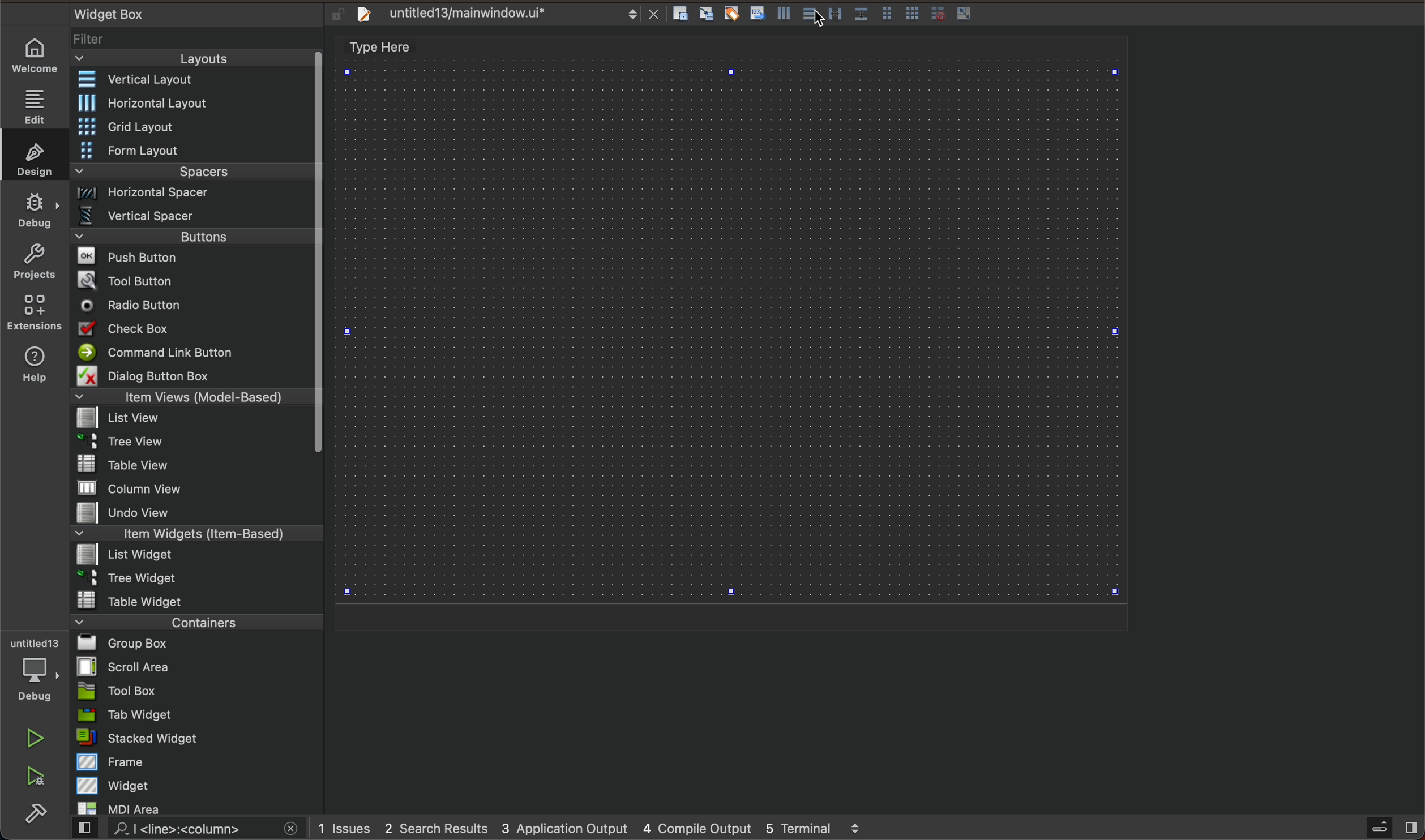 Image resolution: width=1425 pixels, height=840 pixels. What do you see at coordinates (195, 599) in the screenshot?
I see `table widget` at bounding box center [195, 599].